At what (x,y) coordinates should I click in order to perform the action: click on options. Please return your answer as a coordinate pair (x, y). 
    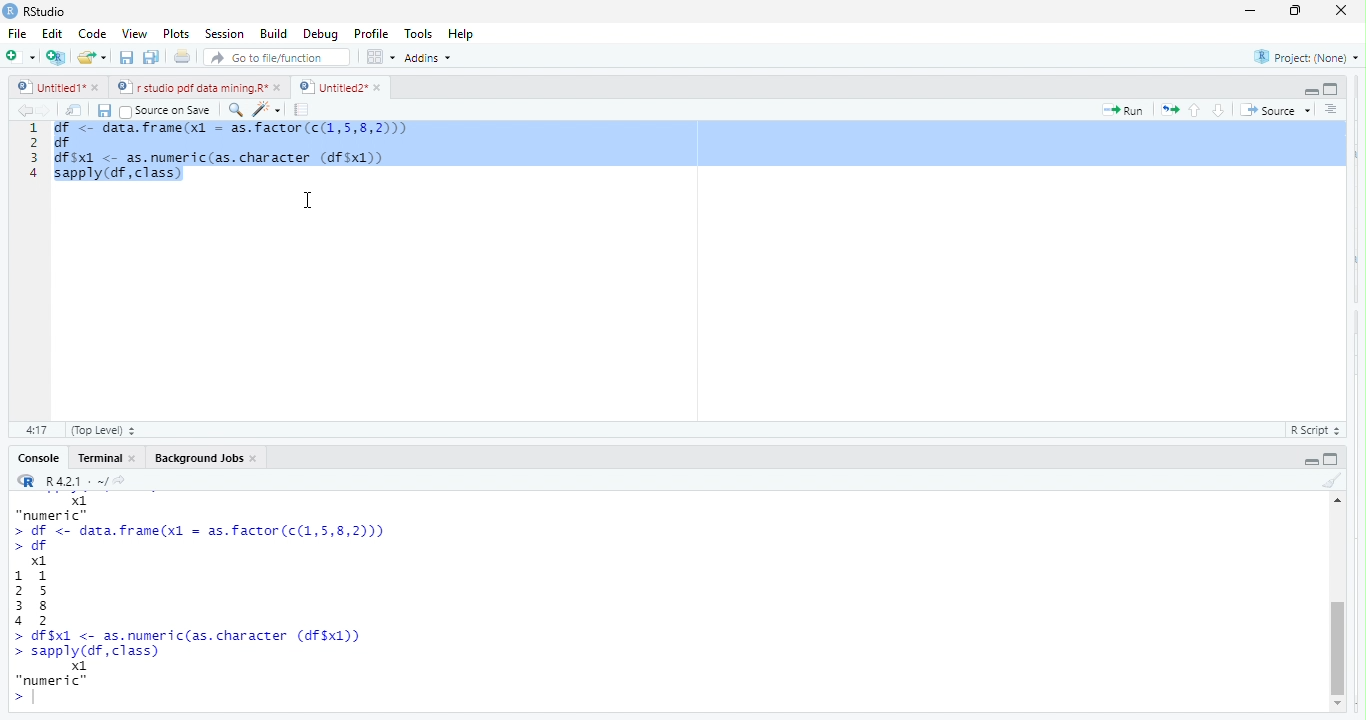
    Looking at the image, I should click on (381, 56).